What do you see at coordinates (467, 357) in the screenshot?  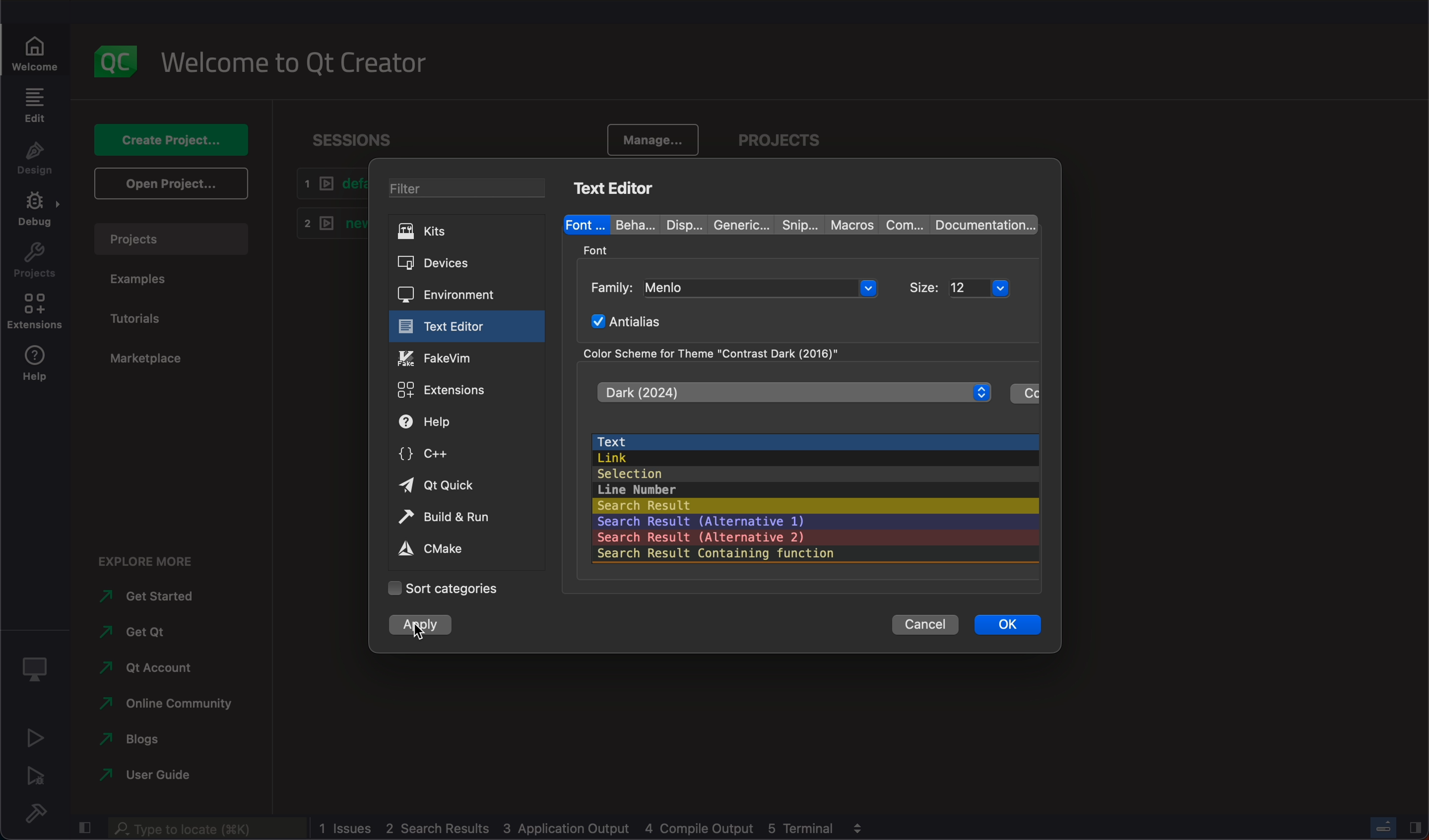 I see `fakevim` at bounding box center [467, 357].